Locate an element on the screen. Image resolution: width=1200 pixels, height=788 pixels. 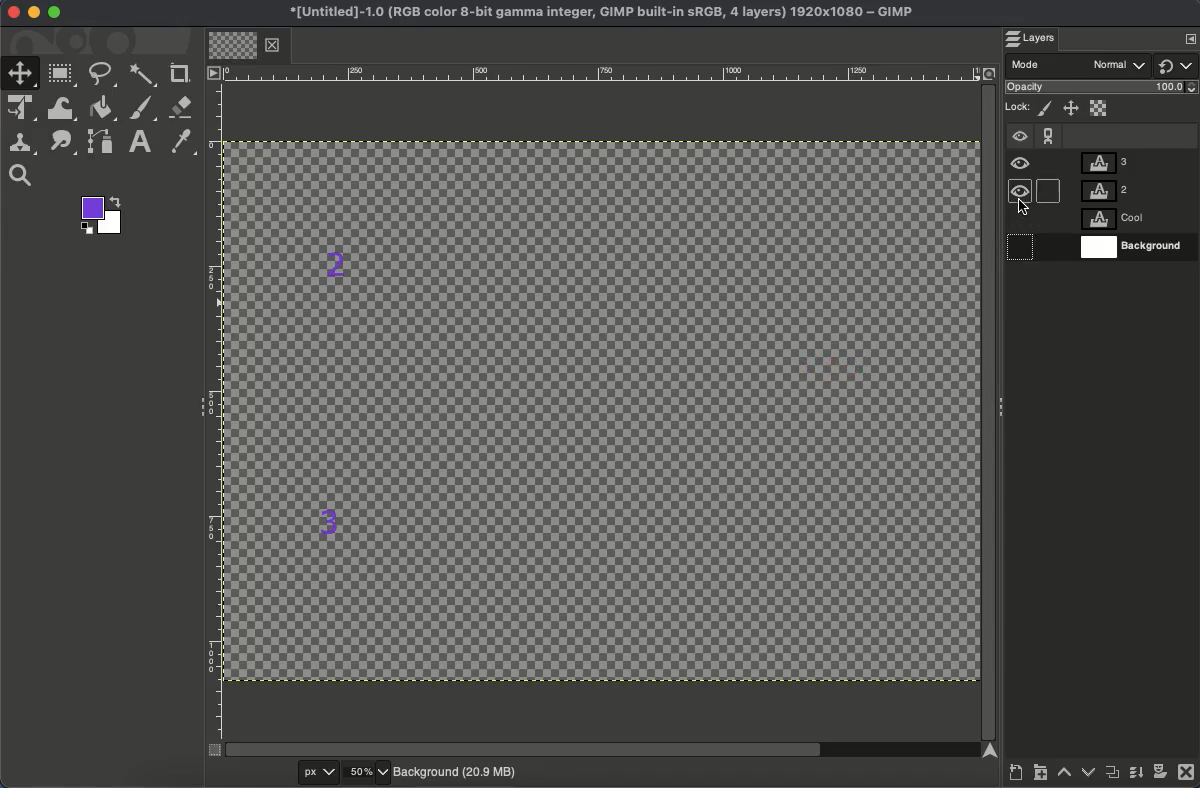
Eraser is located at coordinates (182, 107).